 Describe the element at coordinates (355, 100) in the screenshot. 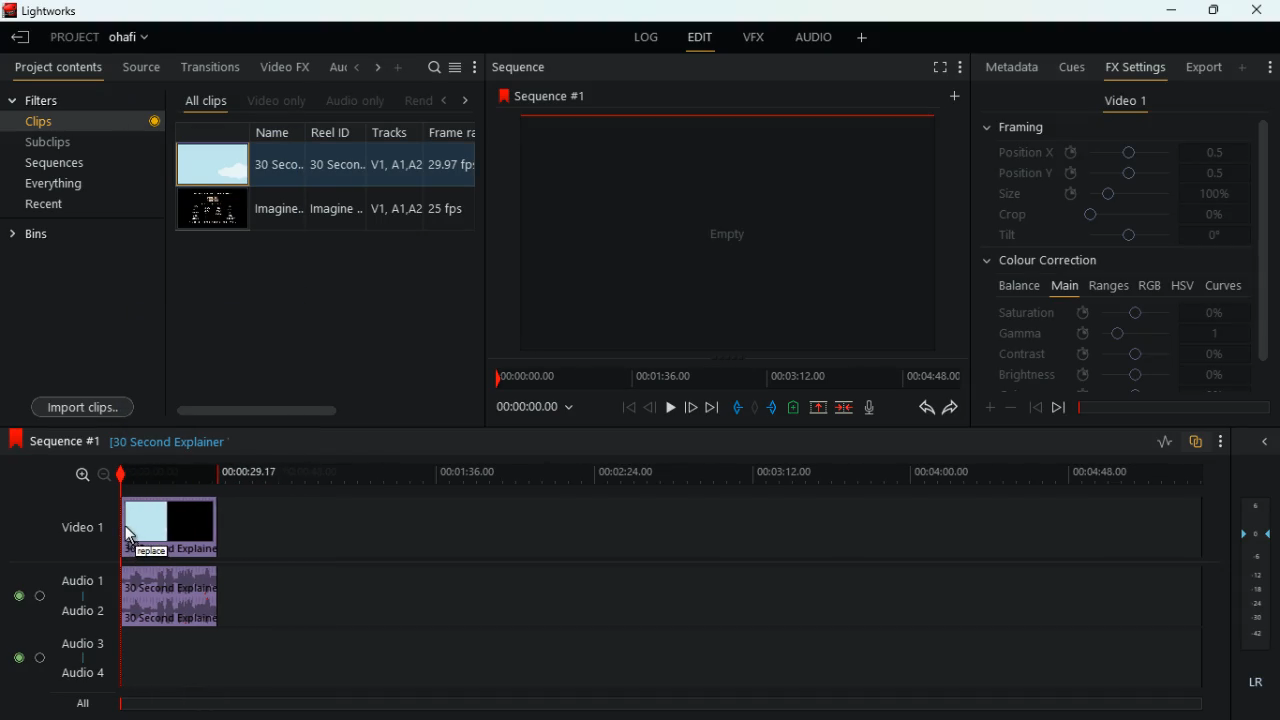

I see `audio only` at that location.